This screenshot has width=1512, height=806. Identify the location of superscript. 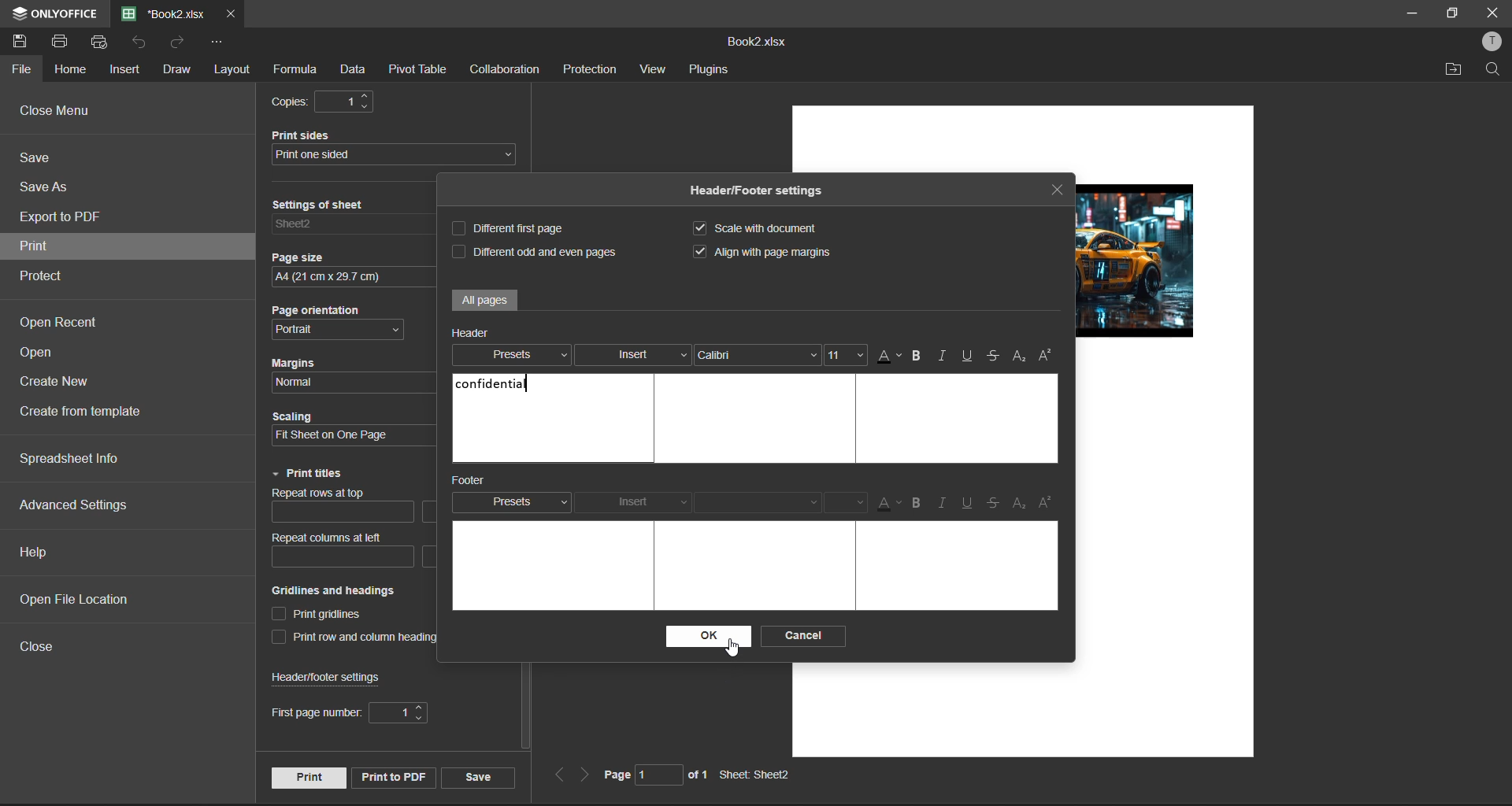
(1047, 356).